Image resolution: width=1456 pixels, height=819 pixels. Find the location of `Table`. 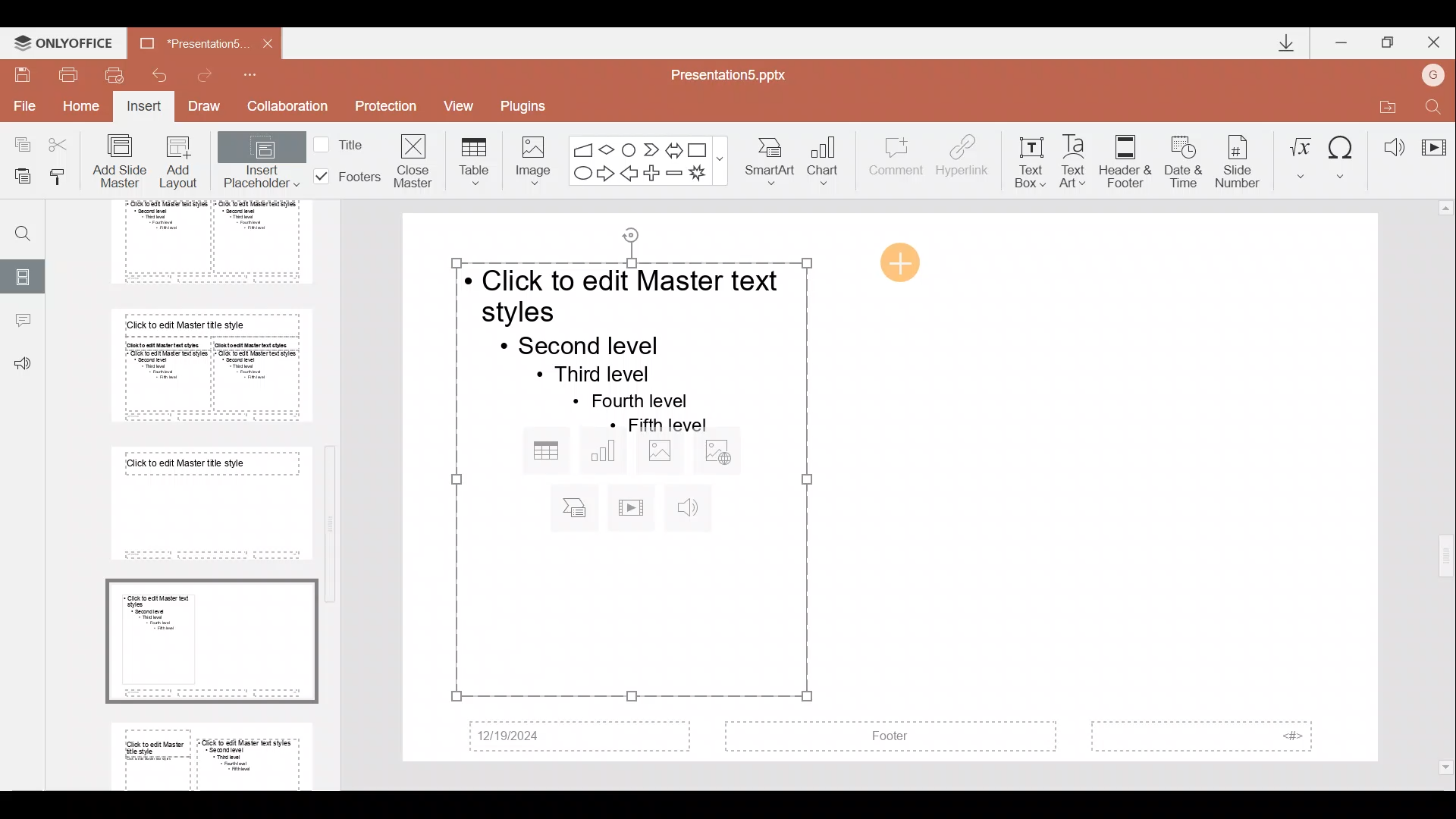

Table is located at coordinates (472, 160).